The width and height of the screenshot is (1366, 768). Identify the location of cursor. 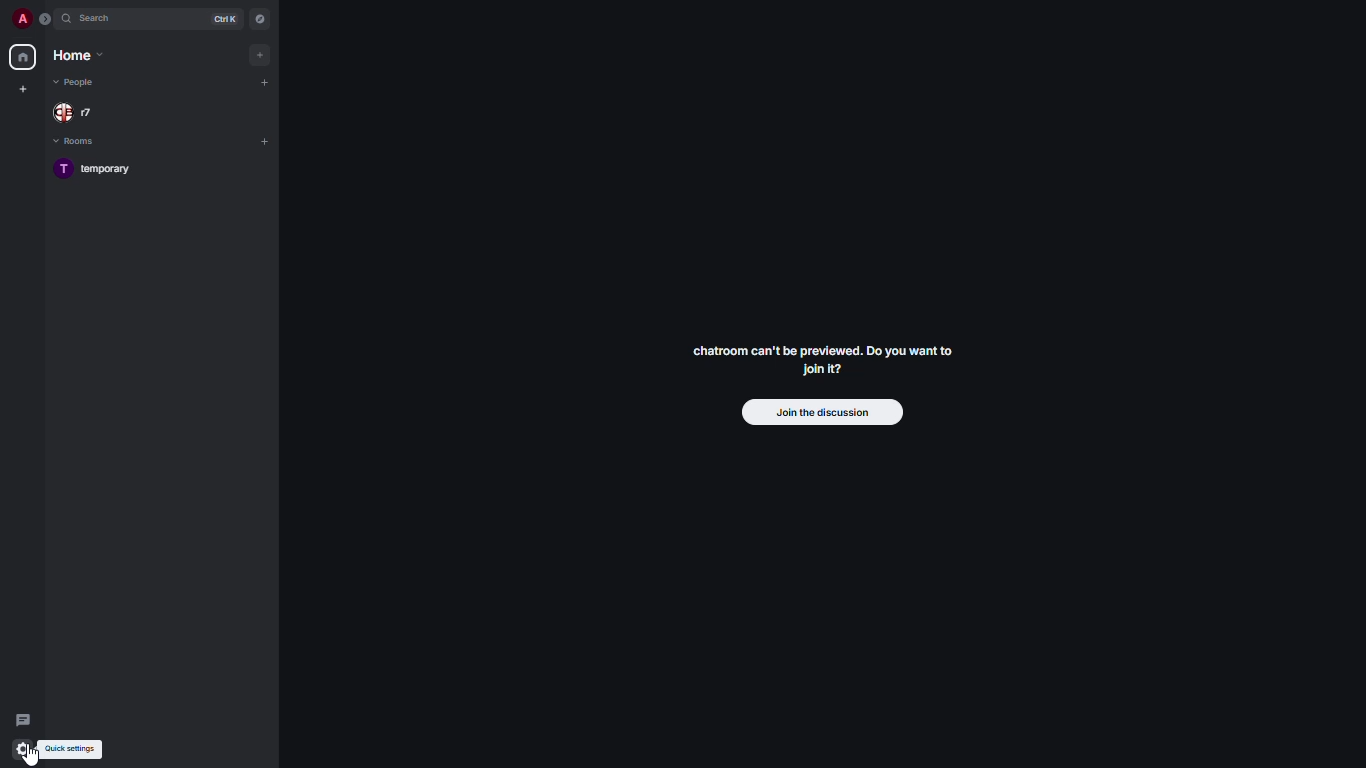
(34, 753).